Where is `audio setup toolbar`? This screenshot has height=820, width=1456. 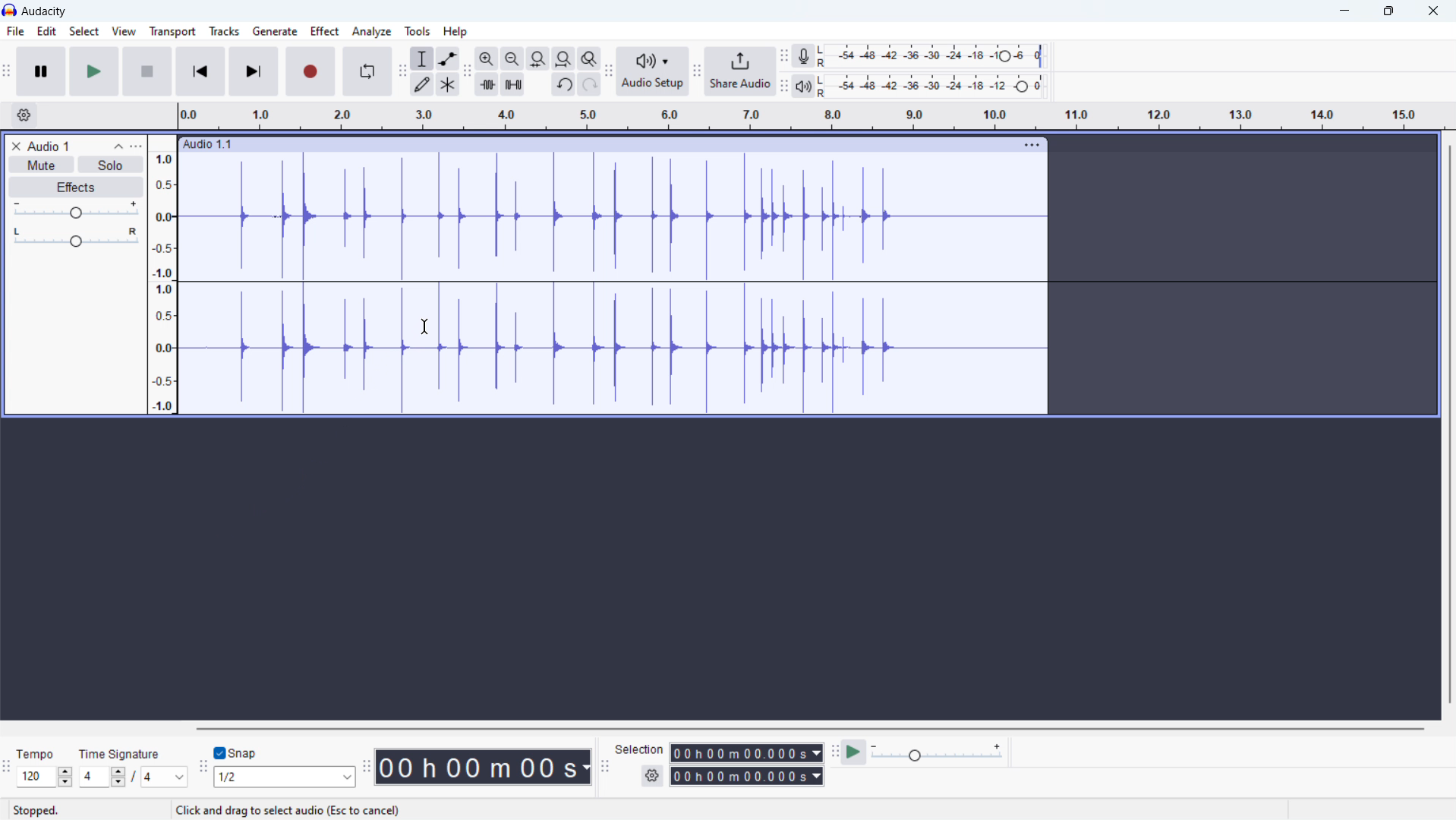 audio setup toolbar is located at coordinates (609, 71).